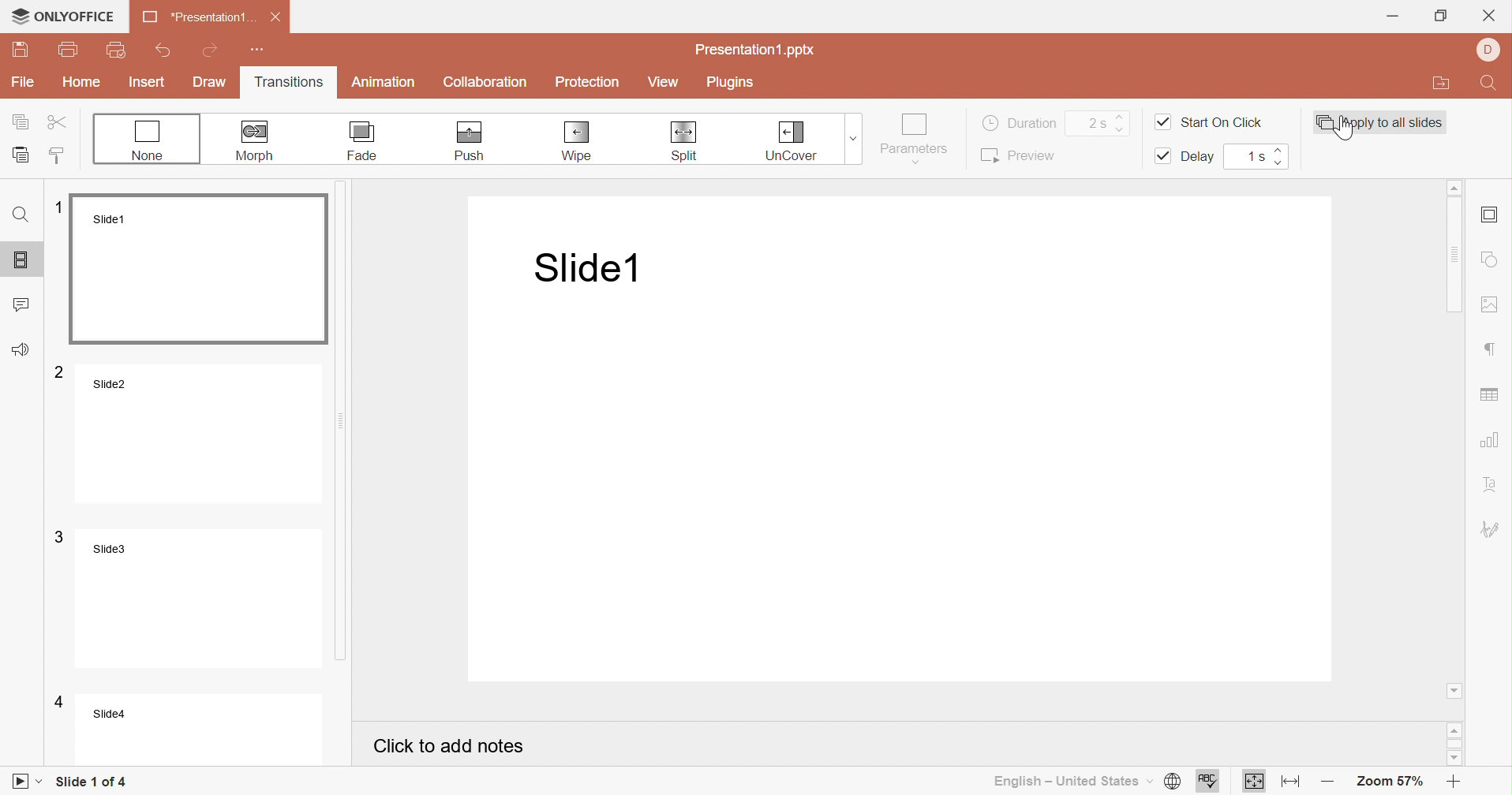 This screenshot has height=795, width=1512. I want to click on Find, so click(23, 214).